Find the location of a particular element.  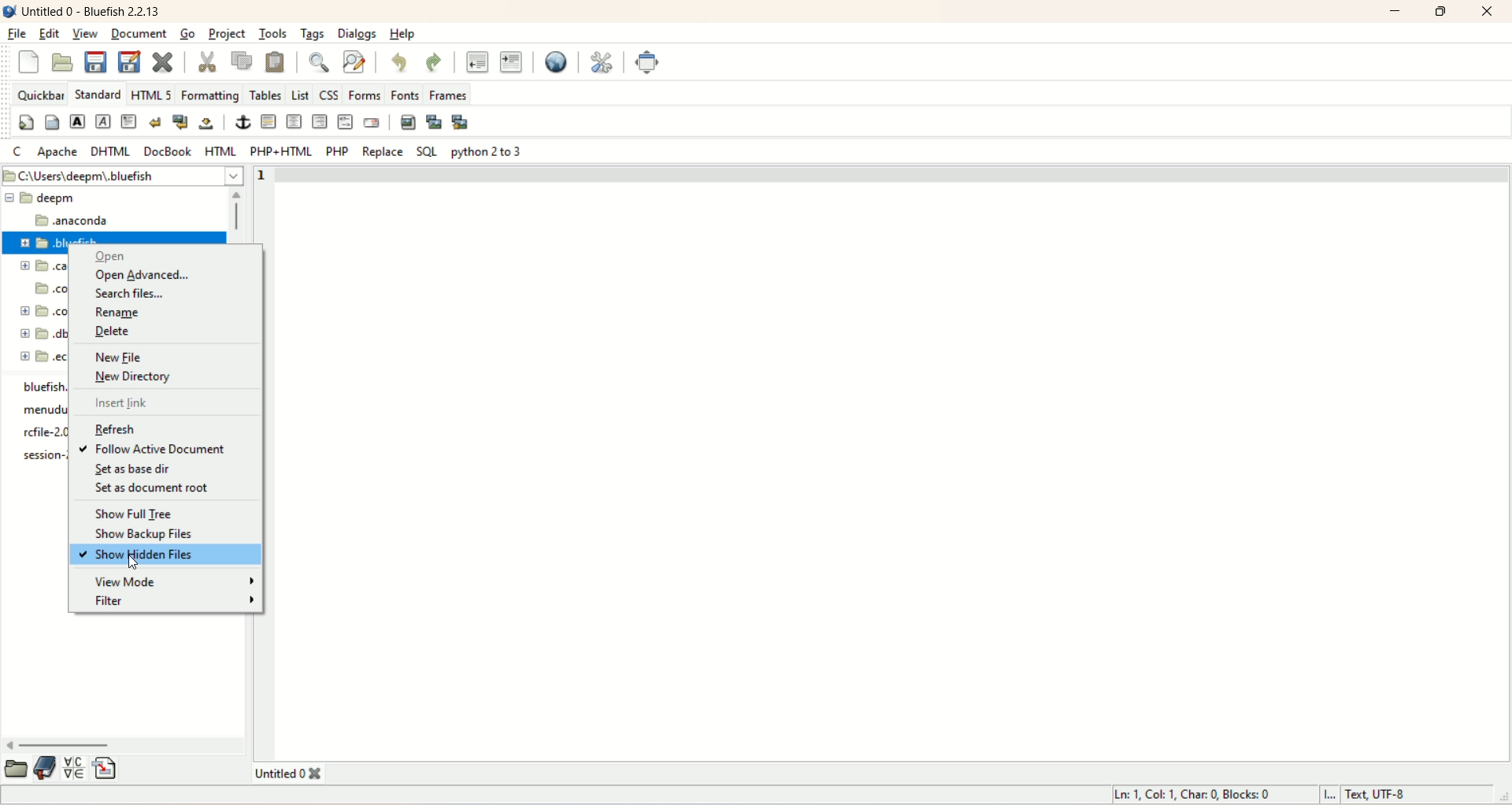

save current file is located at coordinates (95, 62).